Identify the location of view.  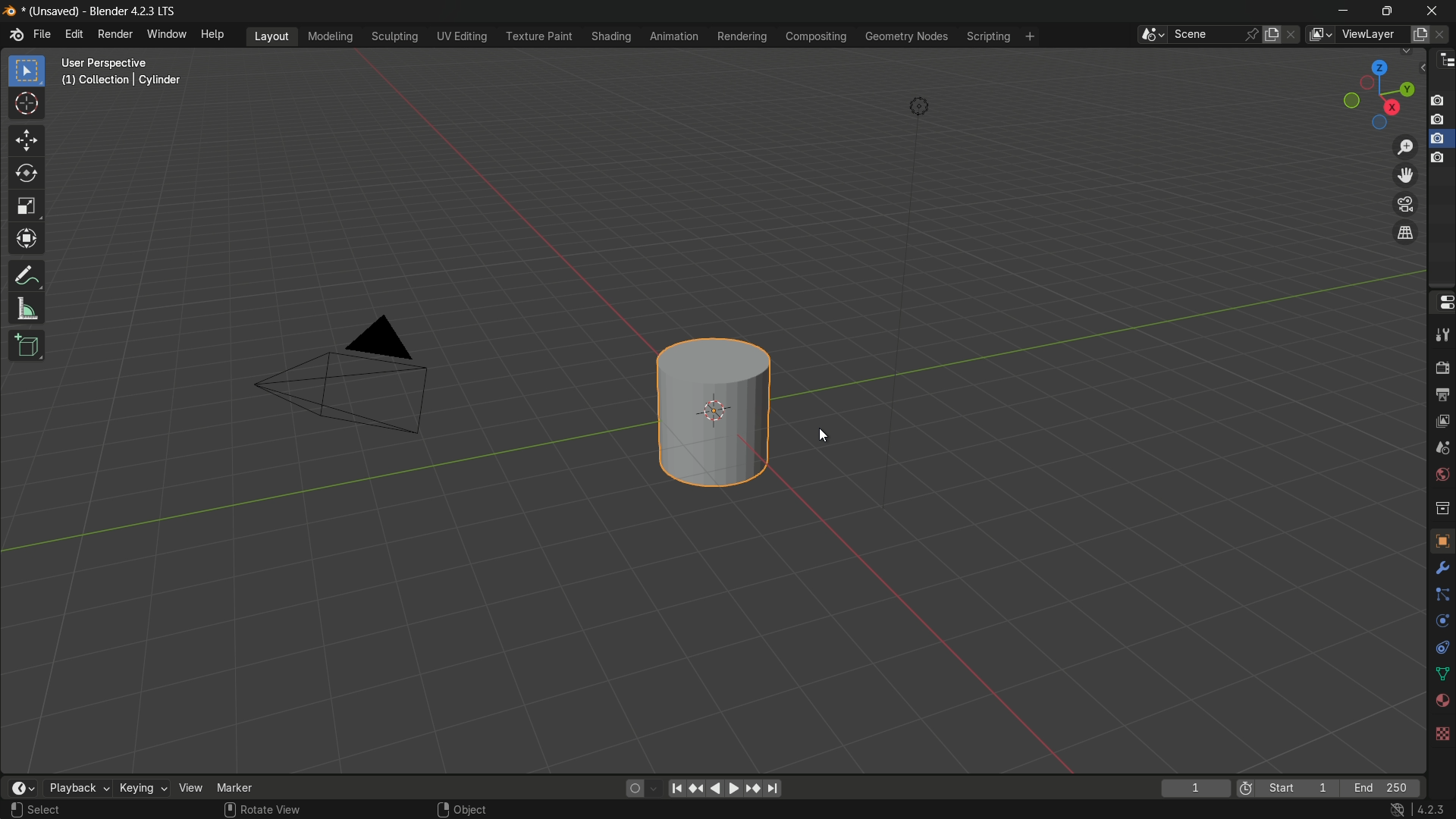
(190, 788).